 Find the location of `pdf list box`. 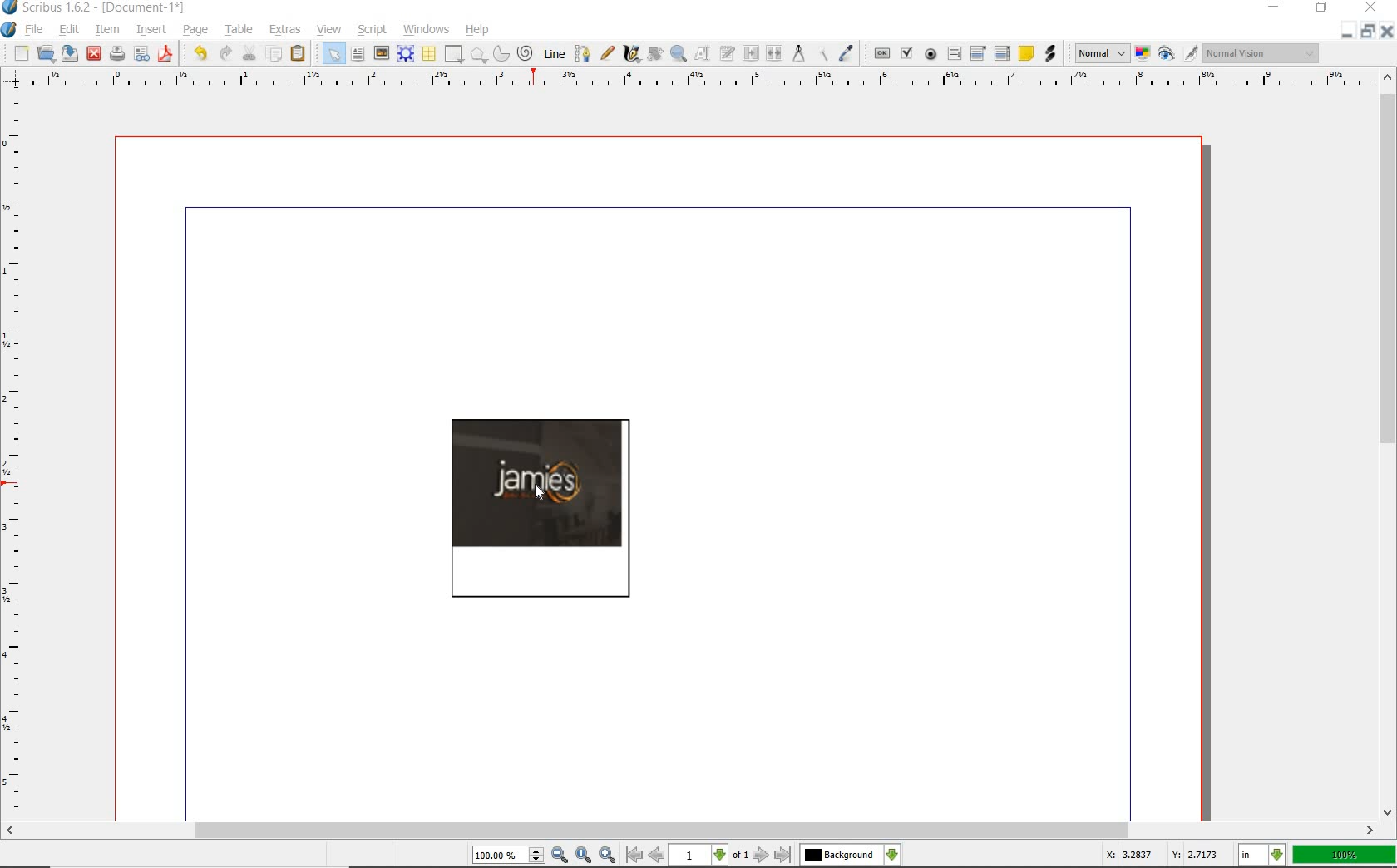

pdf list box is located at coordinates (1003, 54).